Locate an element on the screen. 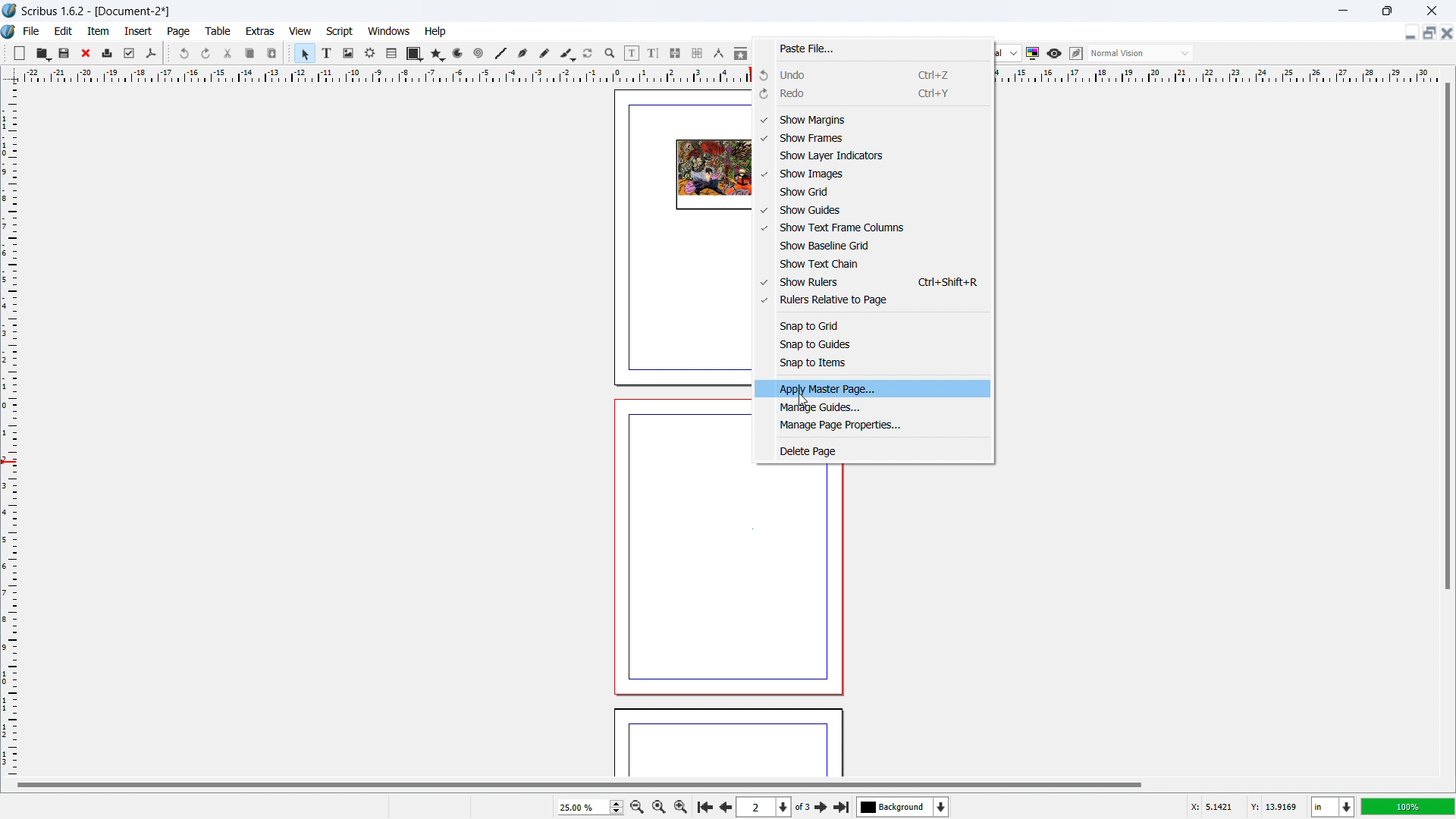  curves is located at coordinates (460, 54).